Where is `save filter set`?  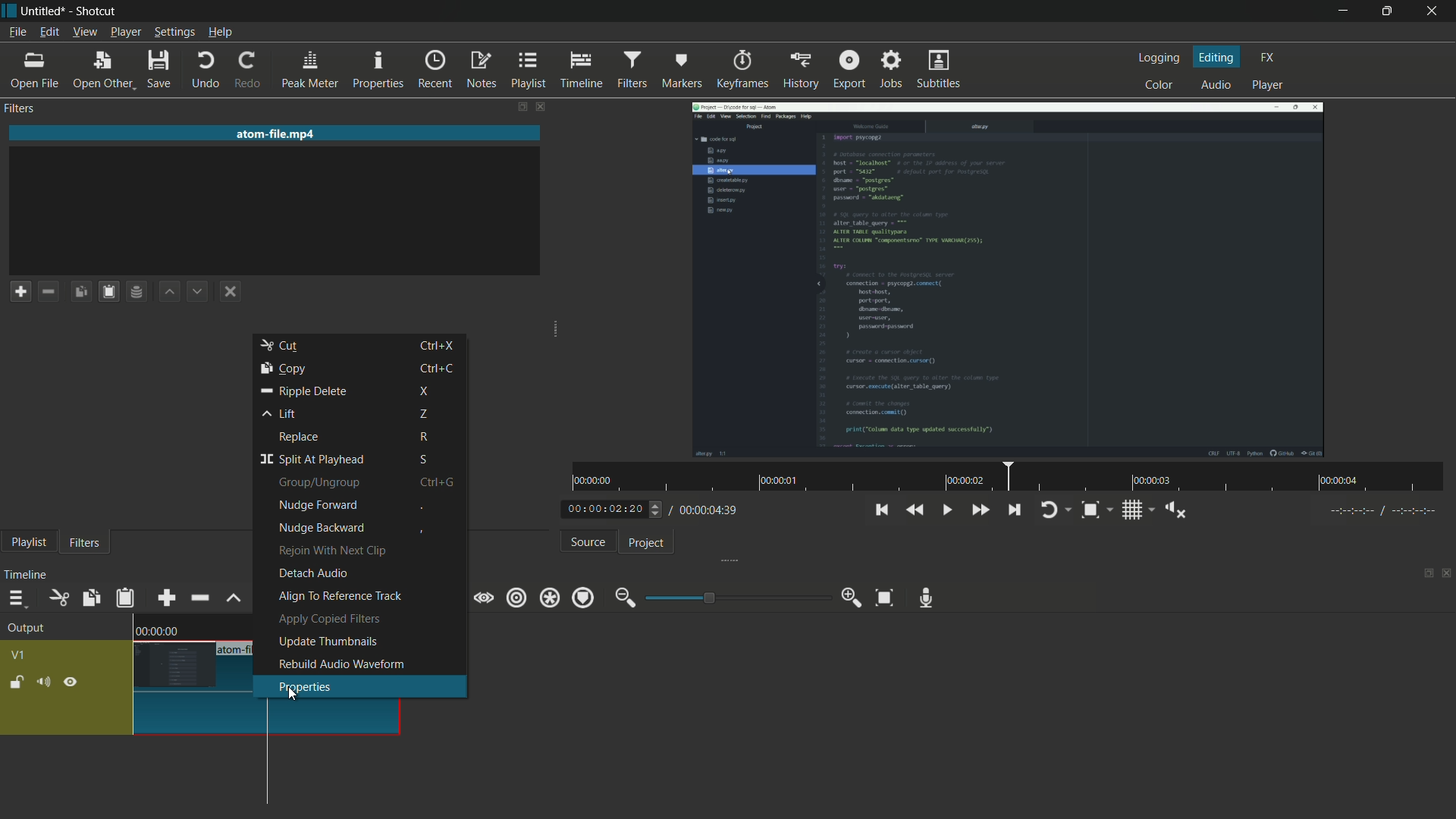 save filter set is located at coordinates (136, 292).